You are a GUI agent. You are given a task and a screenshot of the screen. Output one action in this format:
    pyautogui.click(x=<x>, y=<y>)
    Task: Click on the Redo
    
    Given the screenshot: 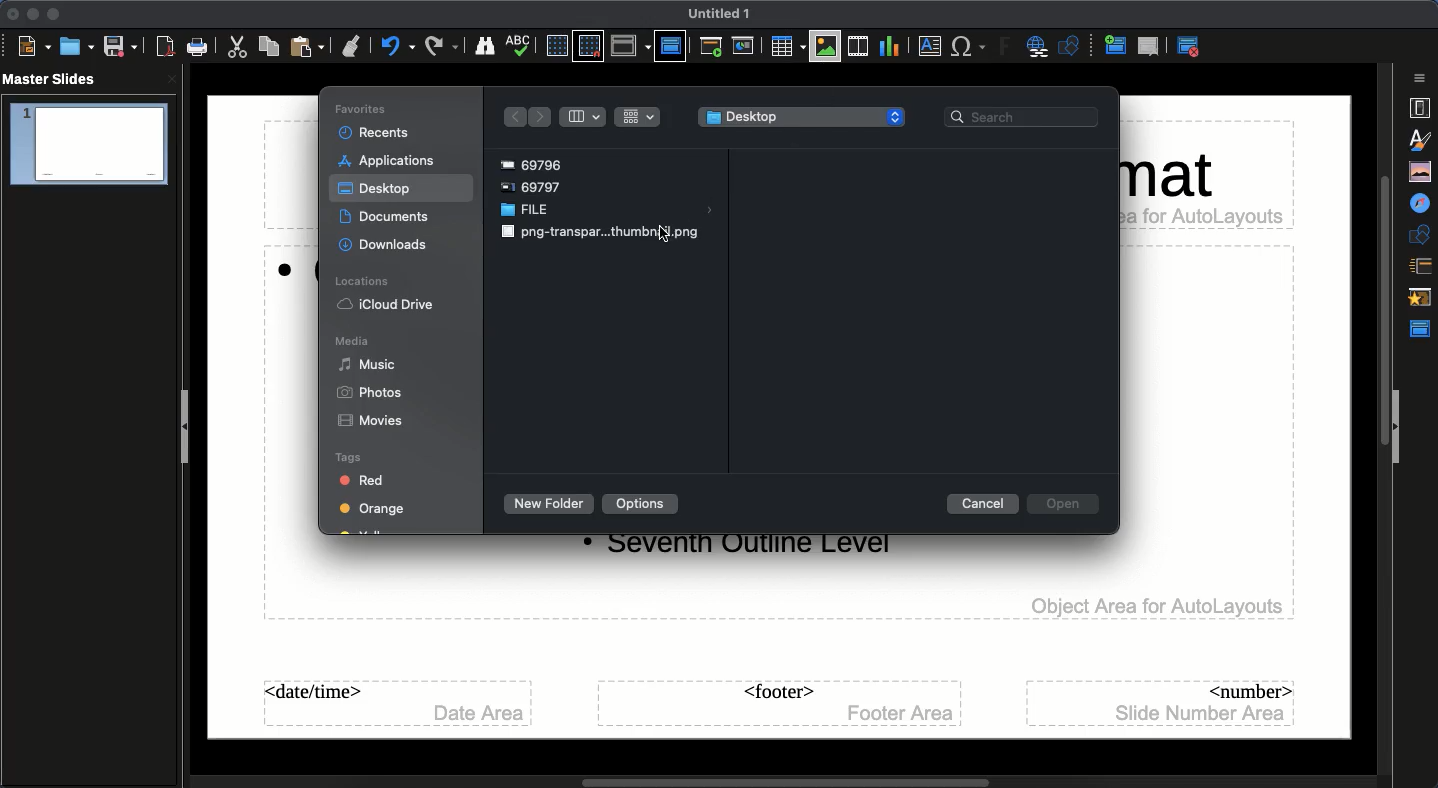 What is the action you would take?
    pyautogui.click(x=442, y=46)
    